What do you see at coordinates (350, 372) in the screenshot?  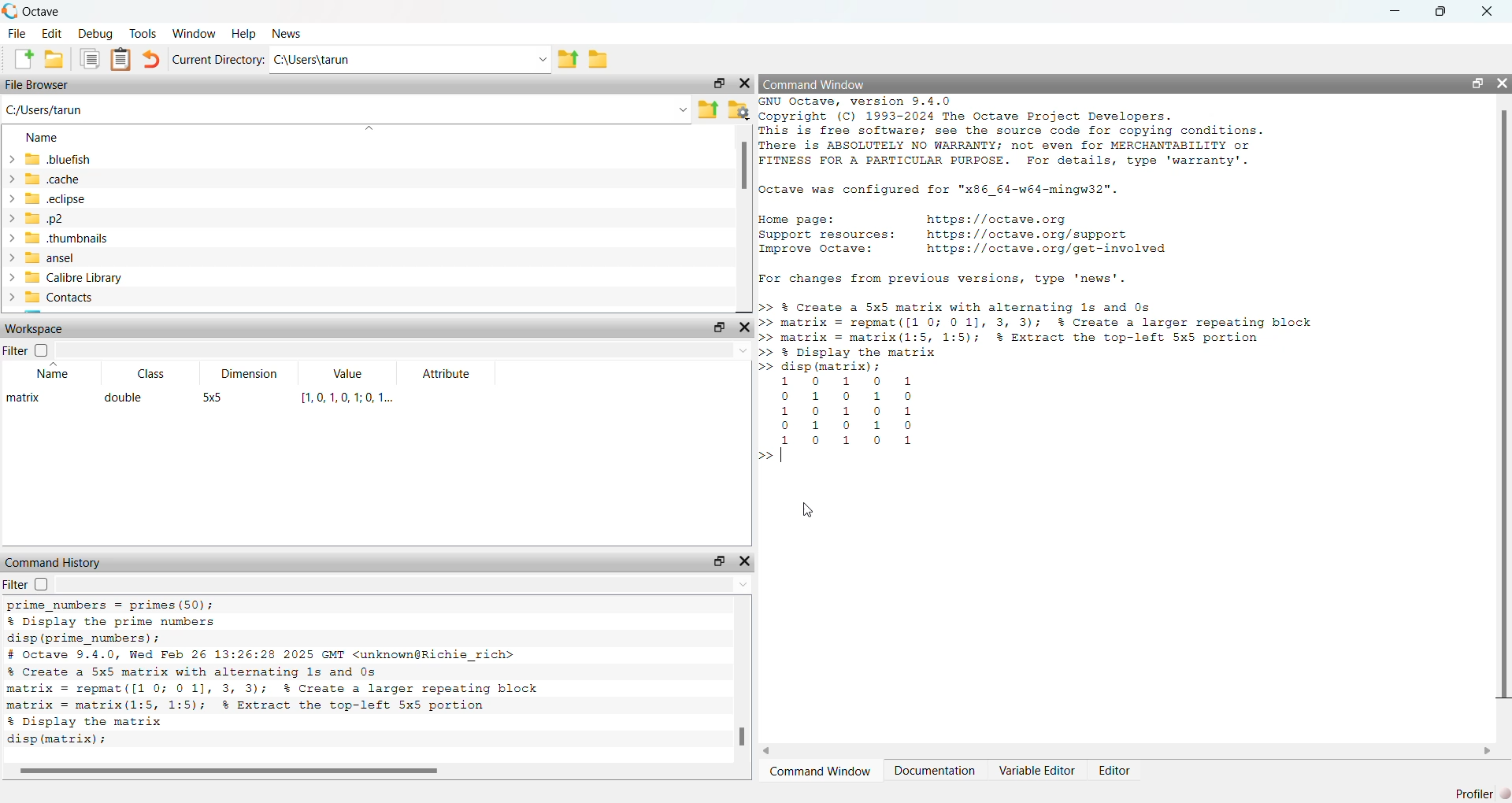 I see `Value` at bounding box center [350, 372].